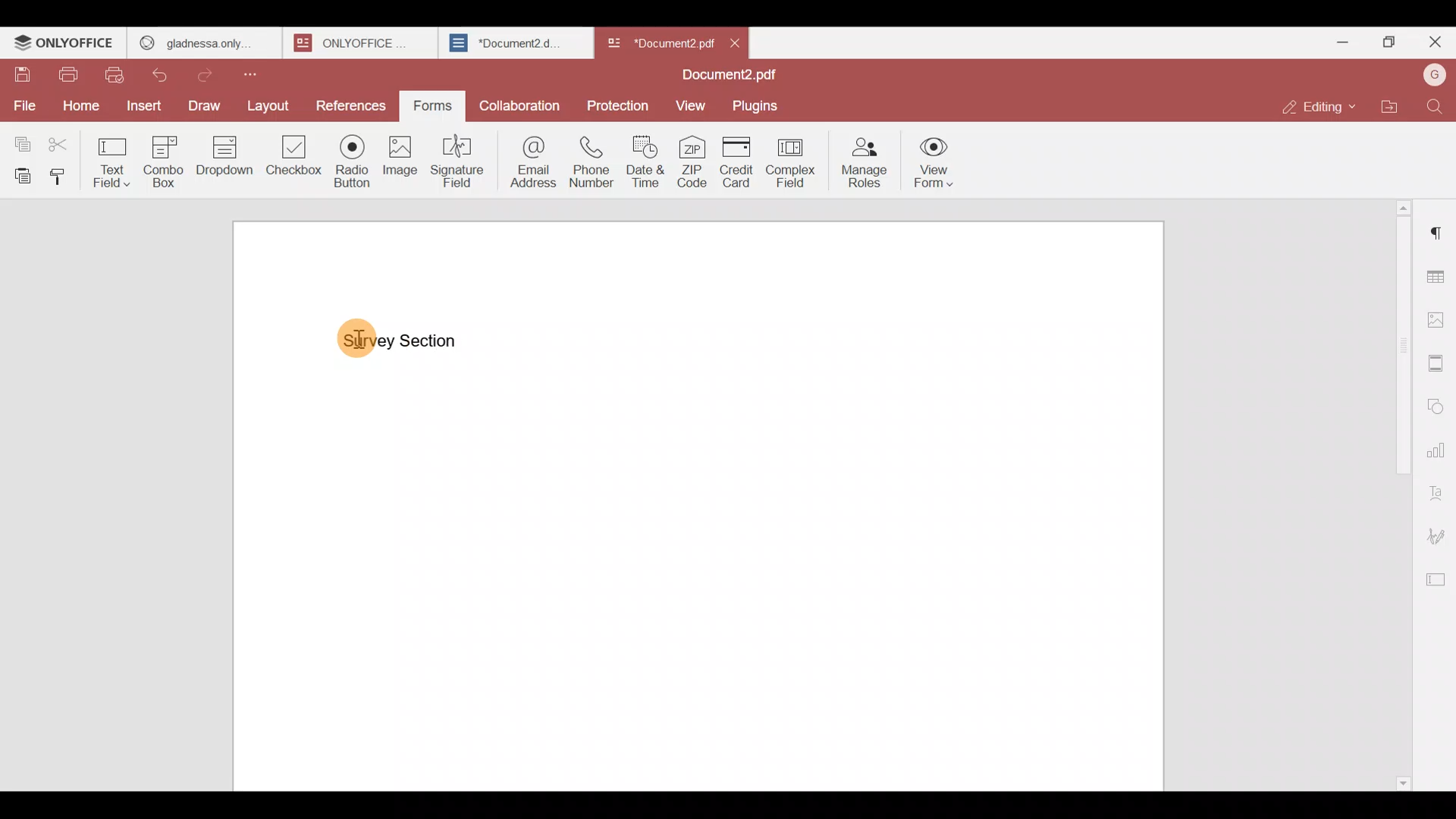 This screenshot has height=819, width=1456. I want to click on Complex field, so click(796, 160).